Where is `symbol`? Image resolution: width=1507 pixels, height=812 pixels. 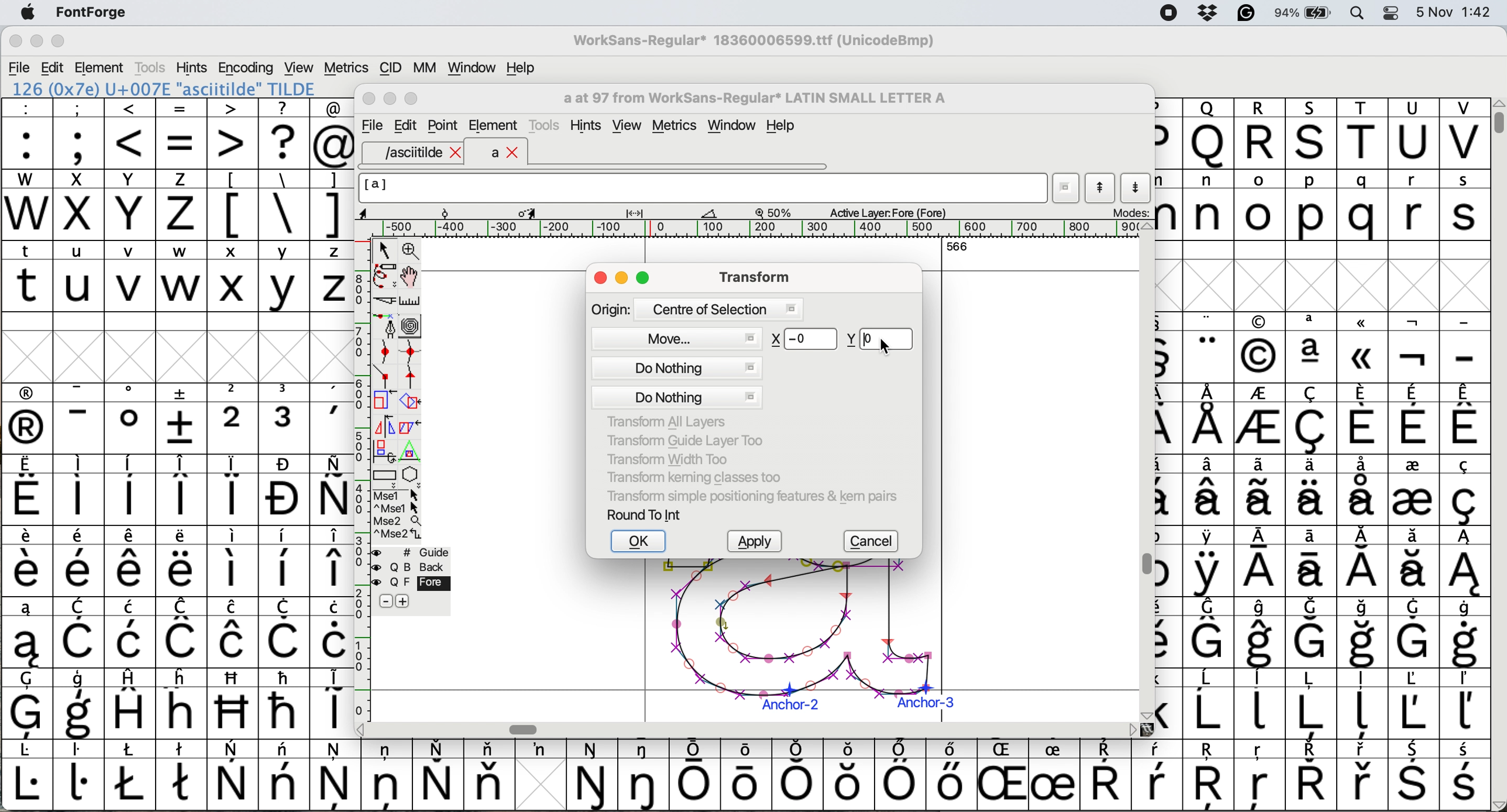
symbol is located at coordinates (1414, 632).